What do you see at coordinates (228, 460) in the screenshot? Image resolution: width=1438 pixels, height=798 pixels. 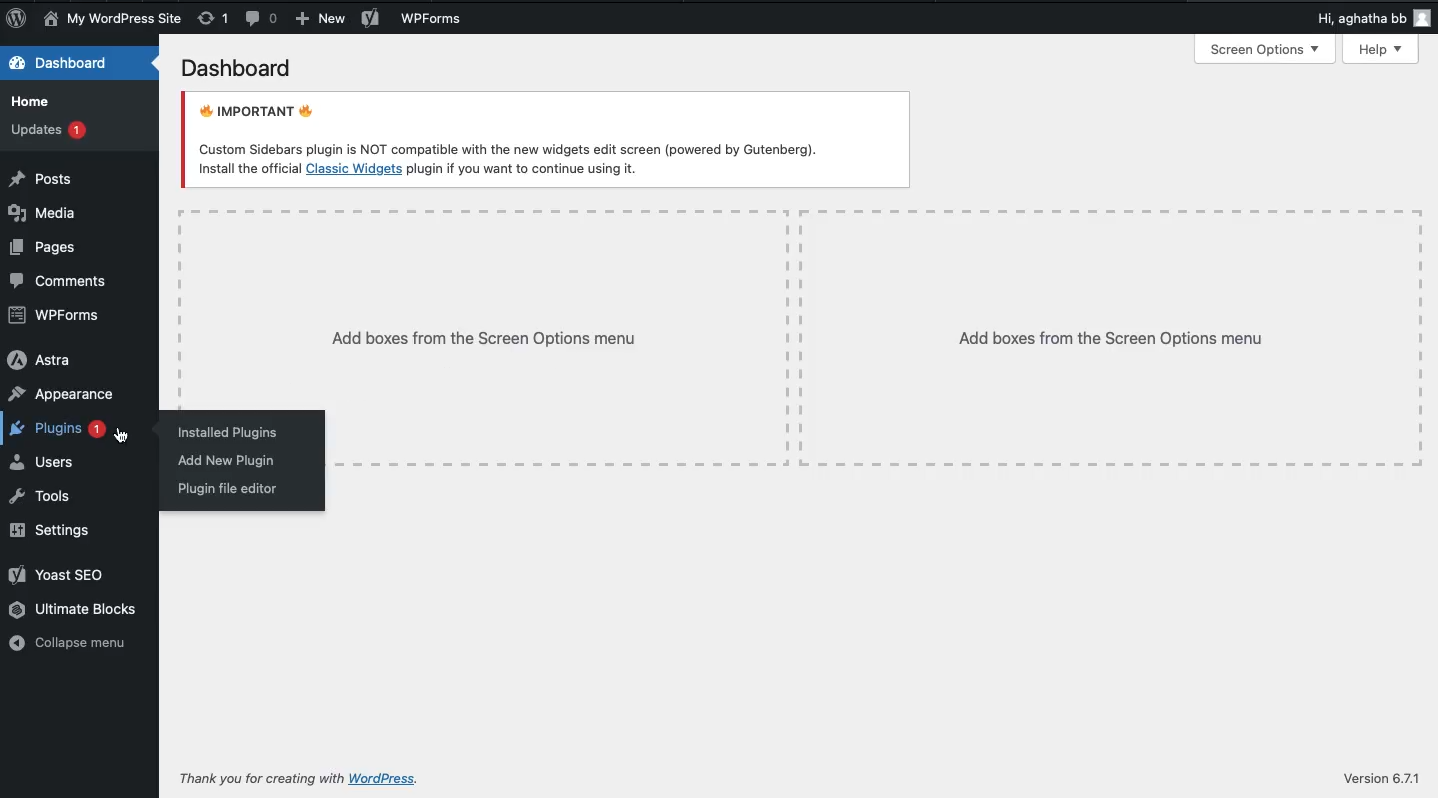 I see `Add new plugin` at bounding box center [228, 460].